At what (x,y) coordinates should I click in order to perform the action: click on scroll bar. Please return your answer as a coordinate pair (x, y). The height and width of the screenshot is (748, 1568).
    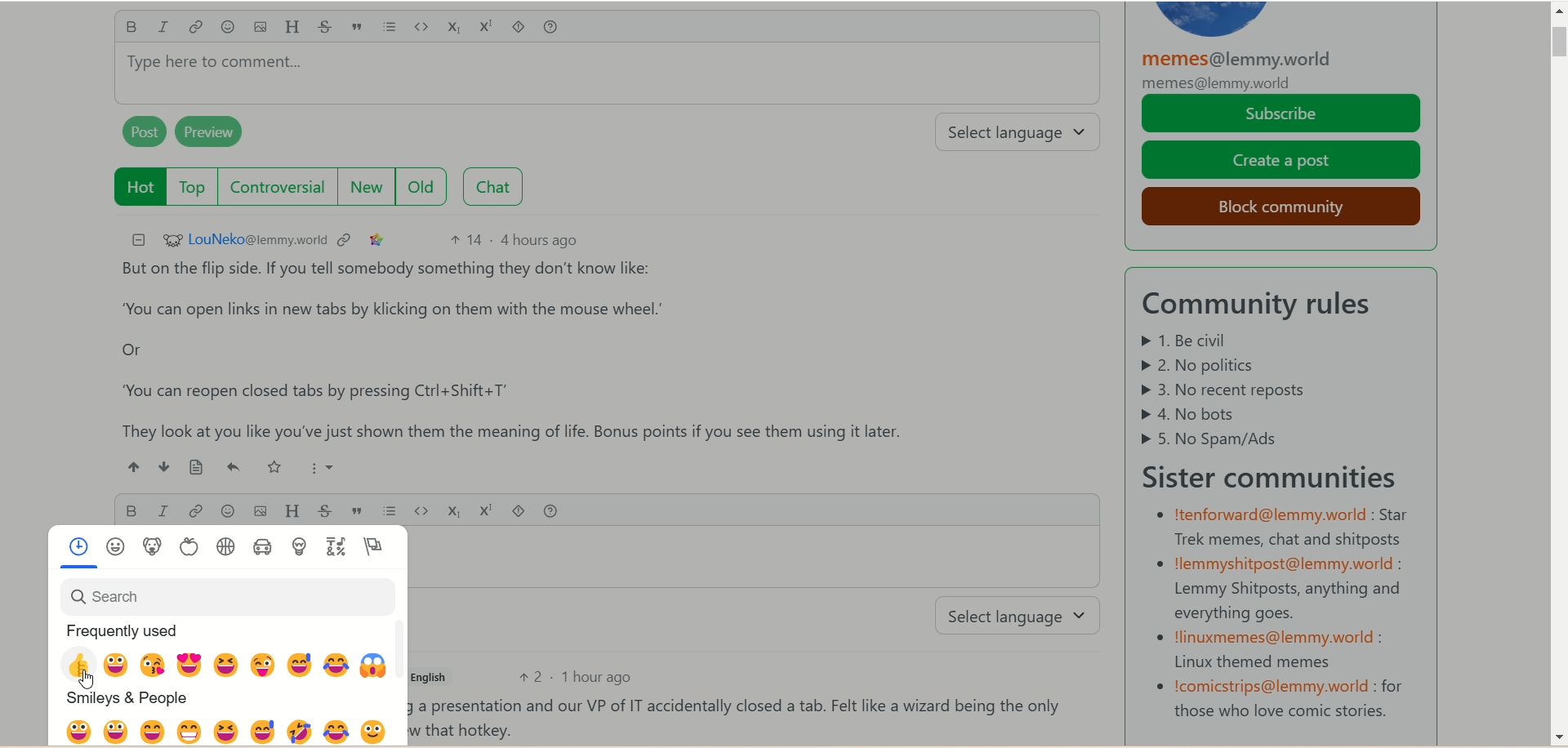
    Looking at the image, I should click on (1557, 106).